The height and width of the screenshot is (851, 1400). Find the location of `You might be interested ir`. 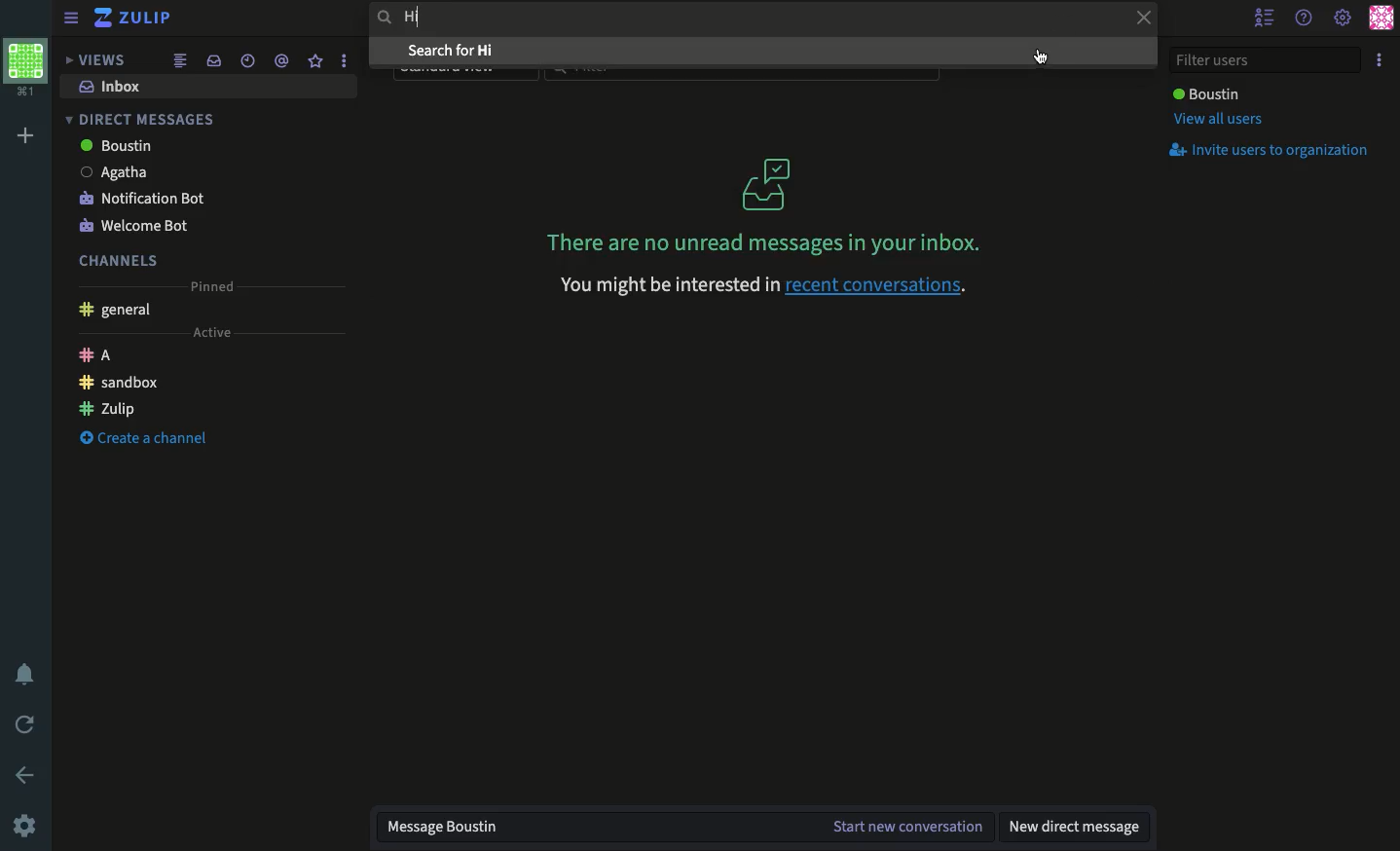

You might be interested ir is located at coordinates (666, 285).